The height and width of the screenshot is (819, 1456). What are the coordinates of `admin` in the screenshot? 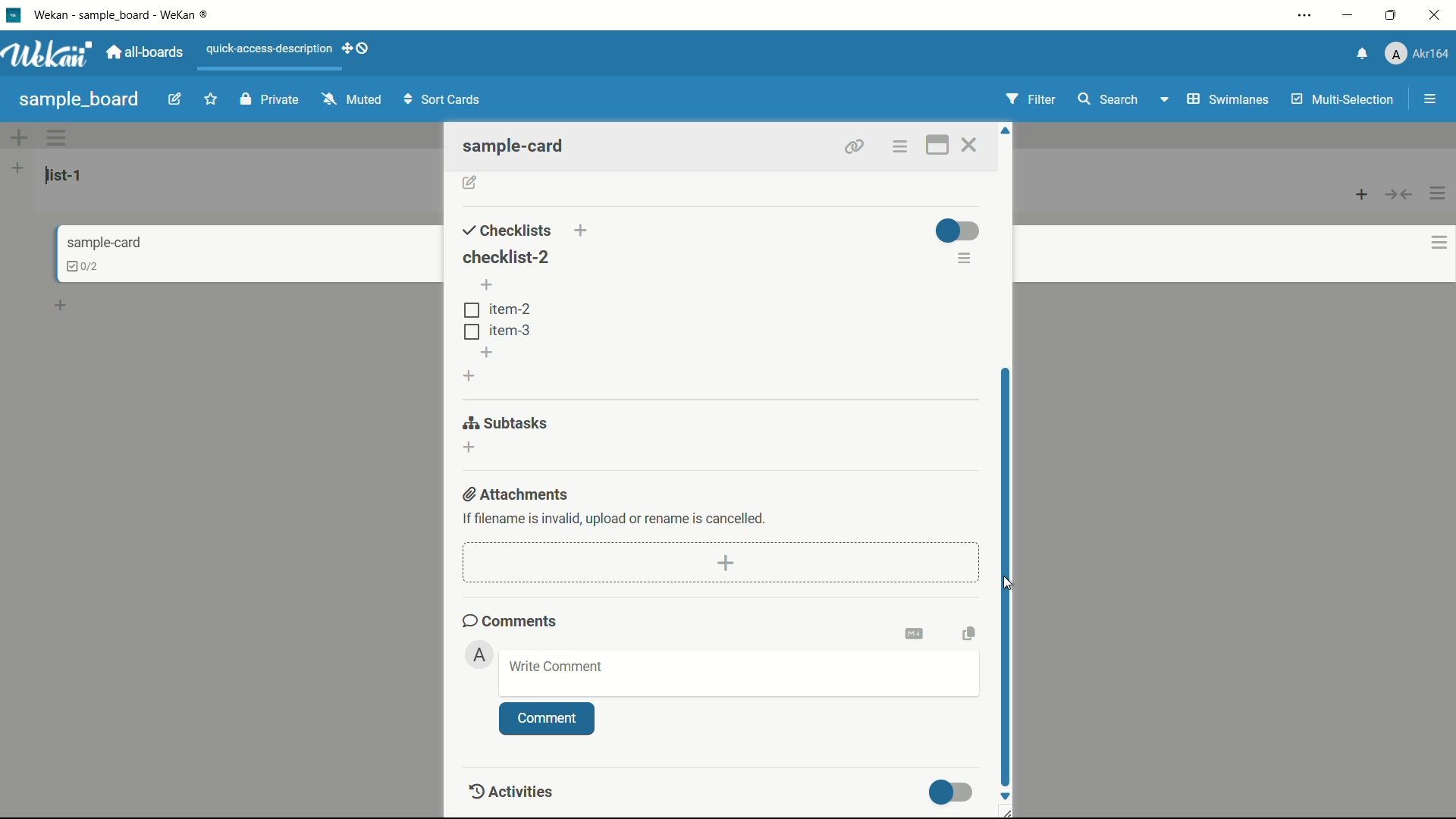 It's located at (480, 655).